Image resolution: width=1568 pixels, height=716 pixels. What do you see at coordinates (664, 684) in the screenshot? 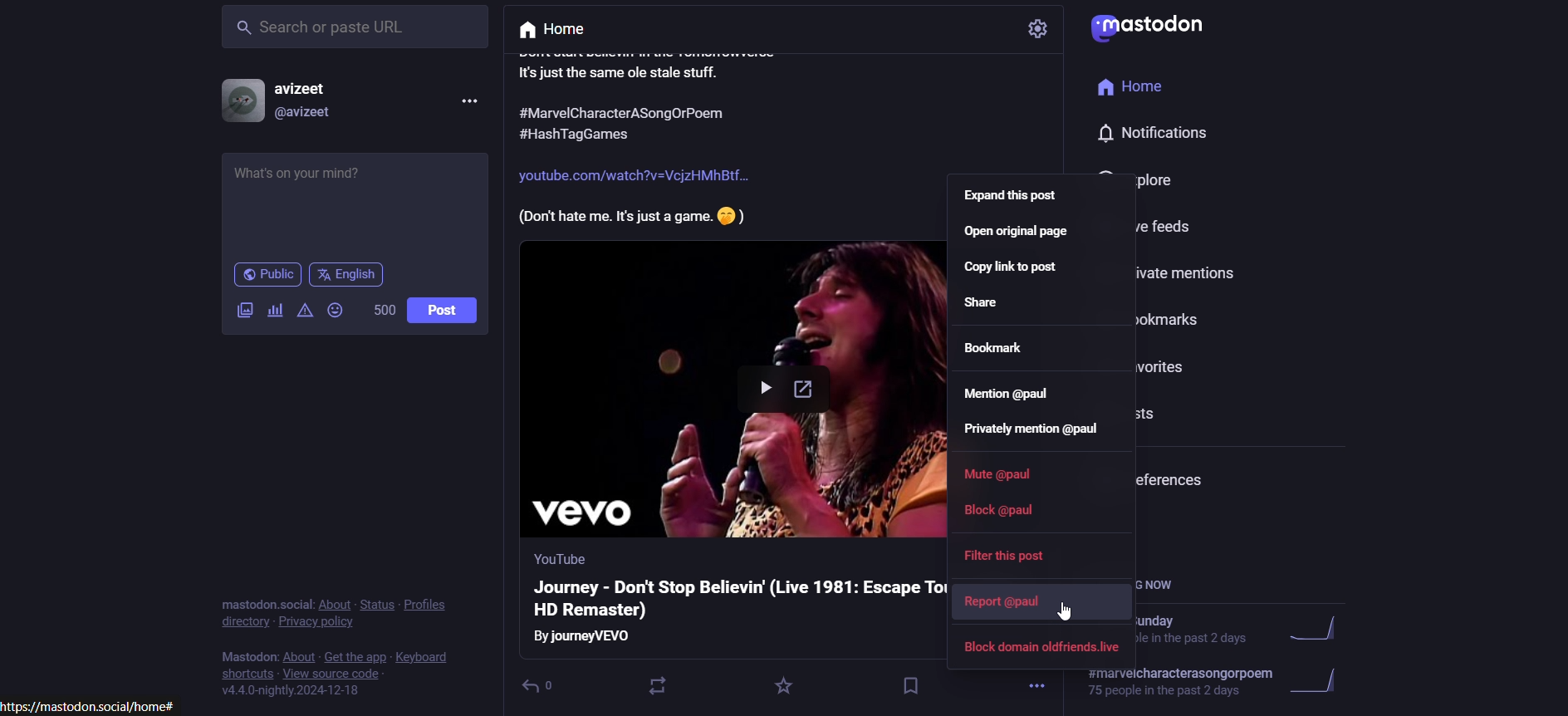
I see `boost` at bounding box center [664, 684].